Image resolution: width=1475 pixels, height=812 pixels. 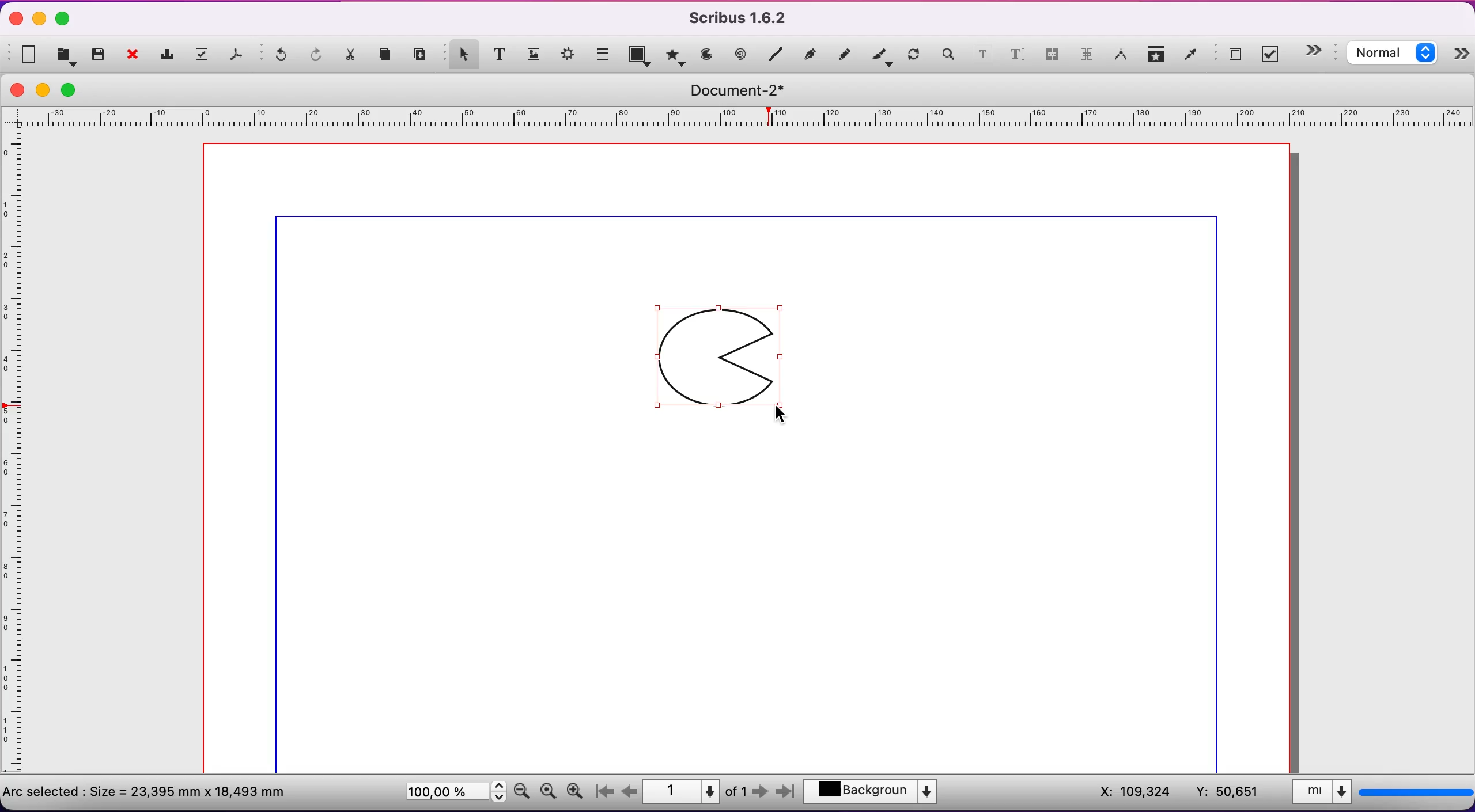 What do you see at coordinates (569, 57) in the screenshot?
I see `render frame` at bounding box center [569, 57].